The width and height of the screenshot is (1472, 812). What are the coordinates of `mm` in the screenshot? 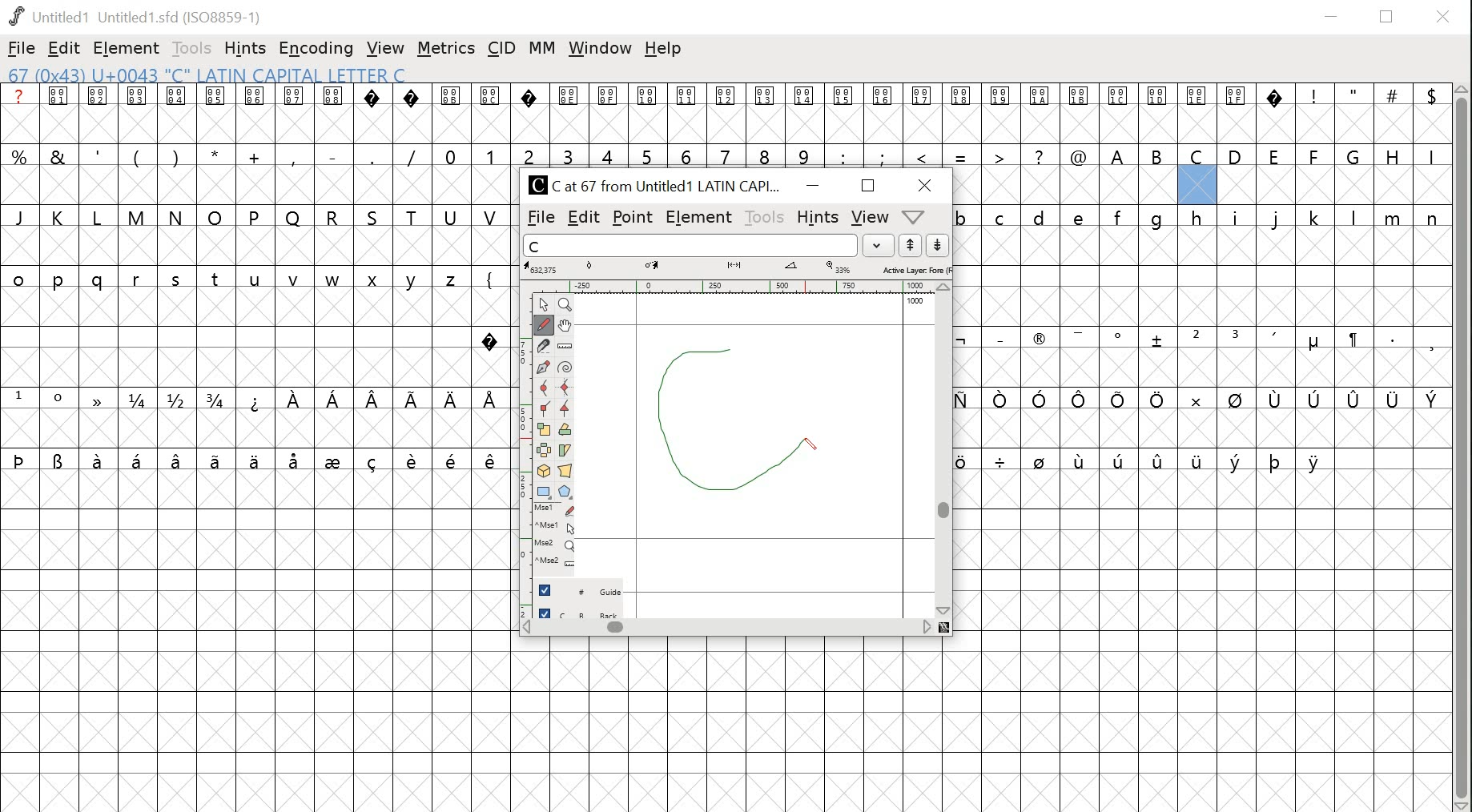 It's located at (540, 50).